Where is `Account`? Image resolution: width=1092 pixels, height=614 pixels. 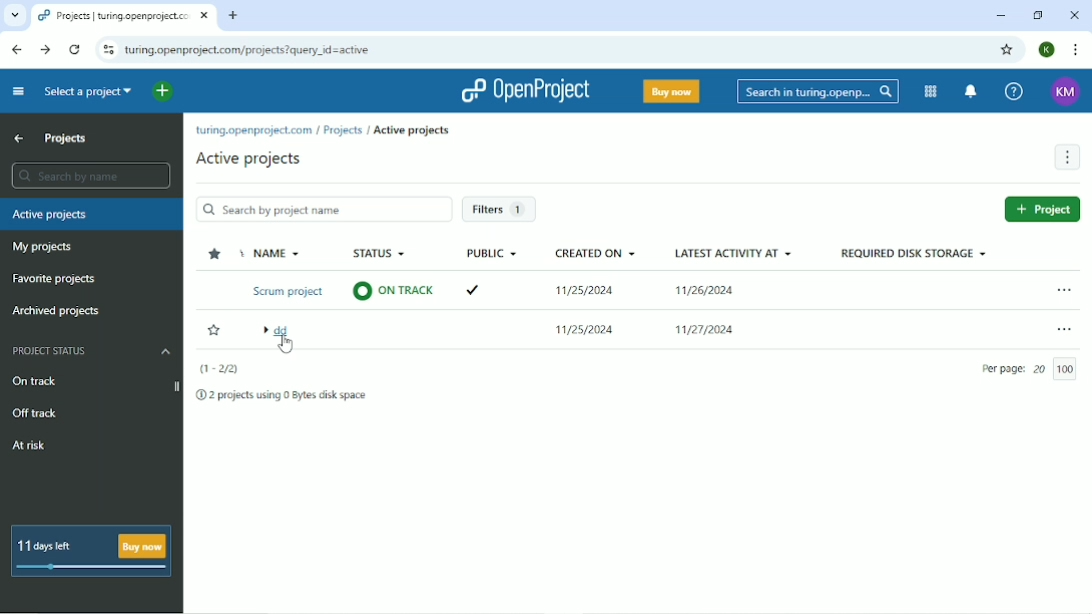 Account is located at coordinates (1046, 50).